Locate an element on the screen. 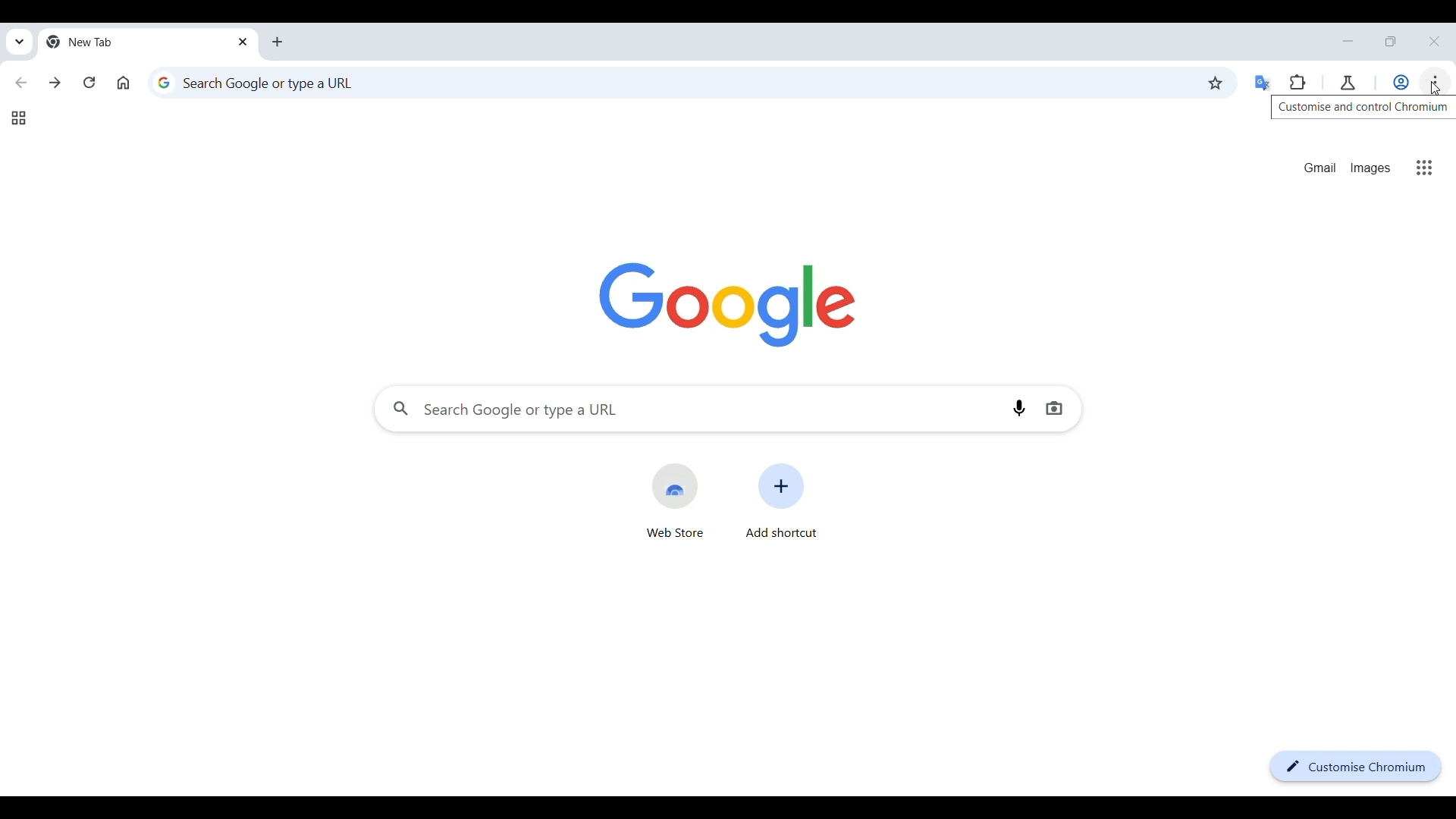  Cursor is located at coordinates (1436, 90).